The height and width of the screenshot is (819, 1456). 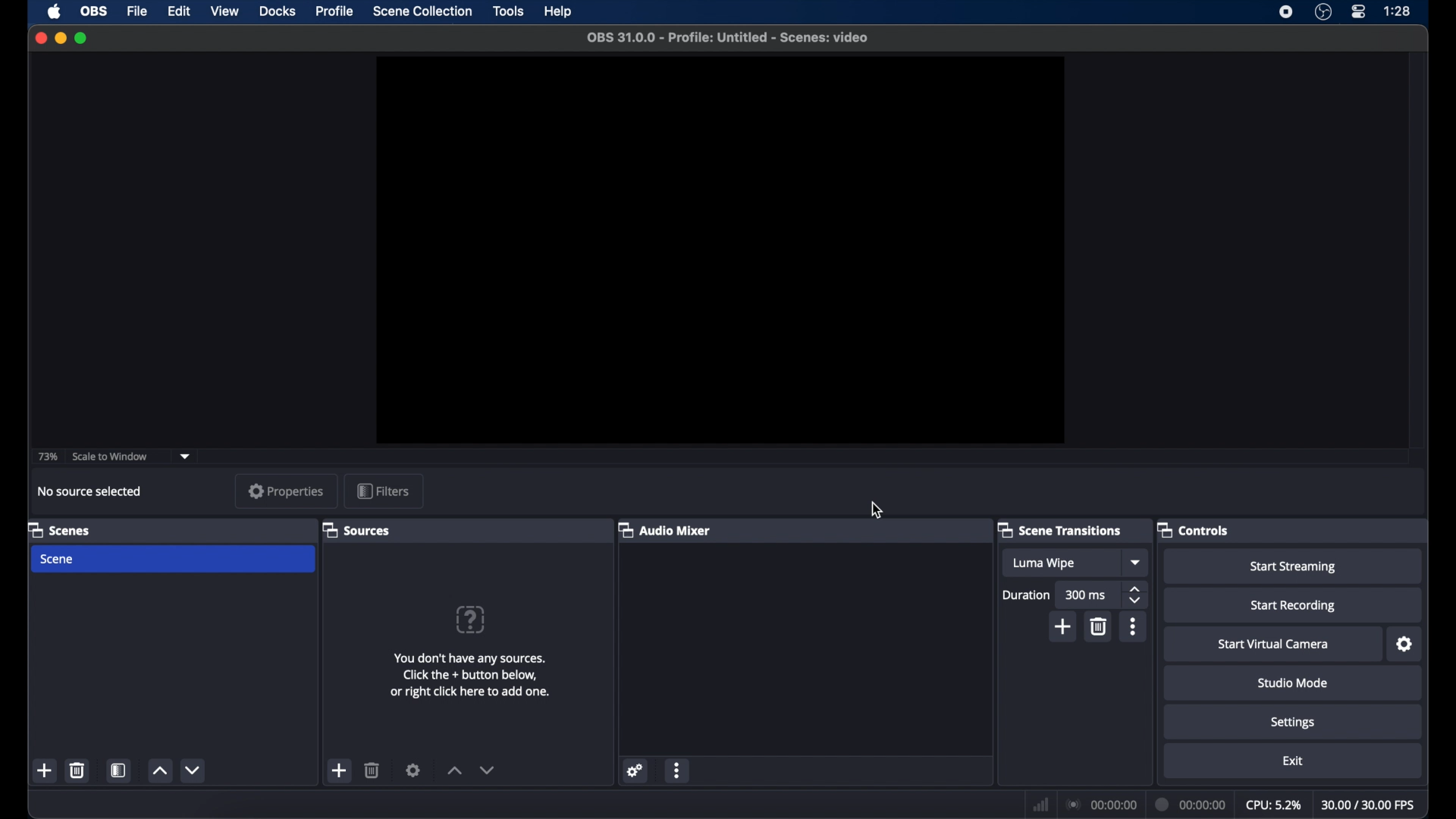 What do you see at coordinates (54, 12) in the screenshot?
I see `apple icon` at bounding box center [54, 12].